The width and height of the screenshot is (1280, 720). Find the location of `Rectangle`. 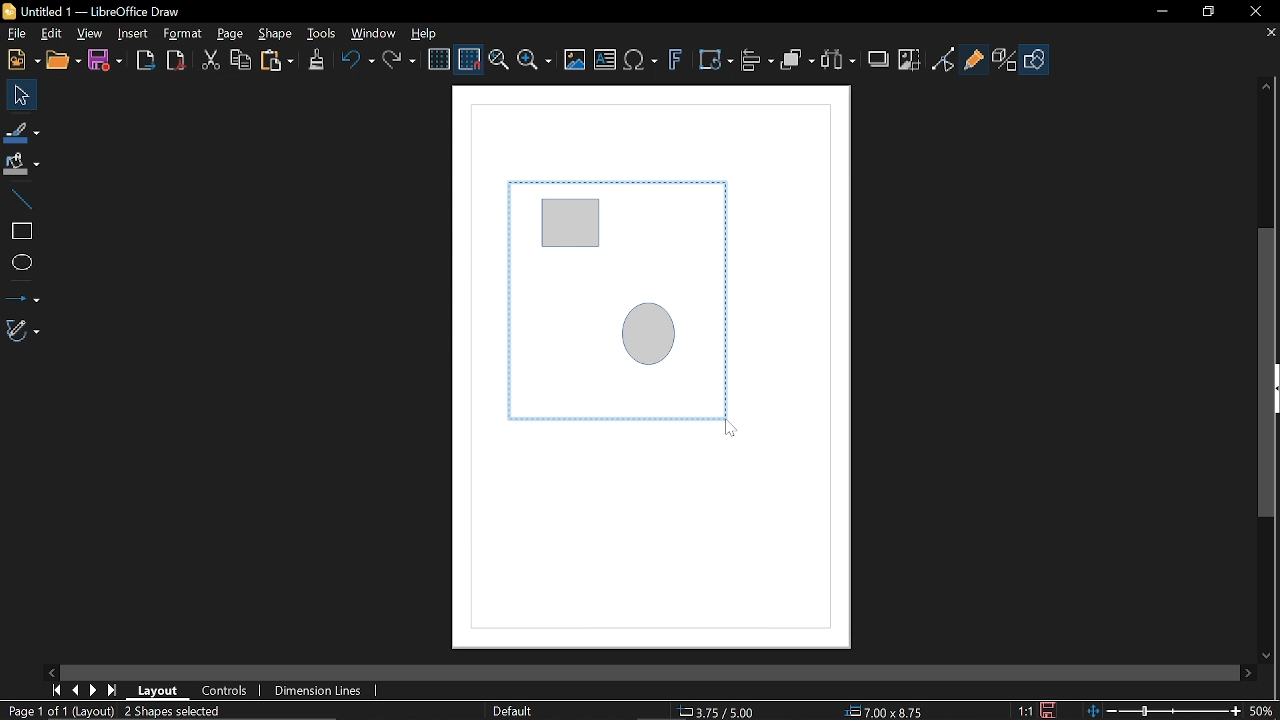

Rectangle is located at coordinates (19, 229).